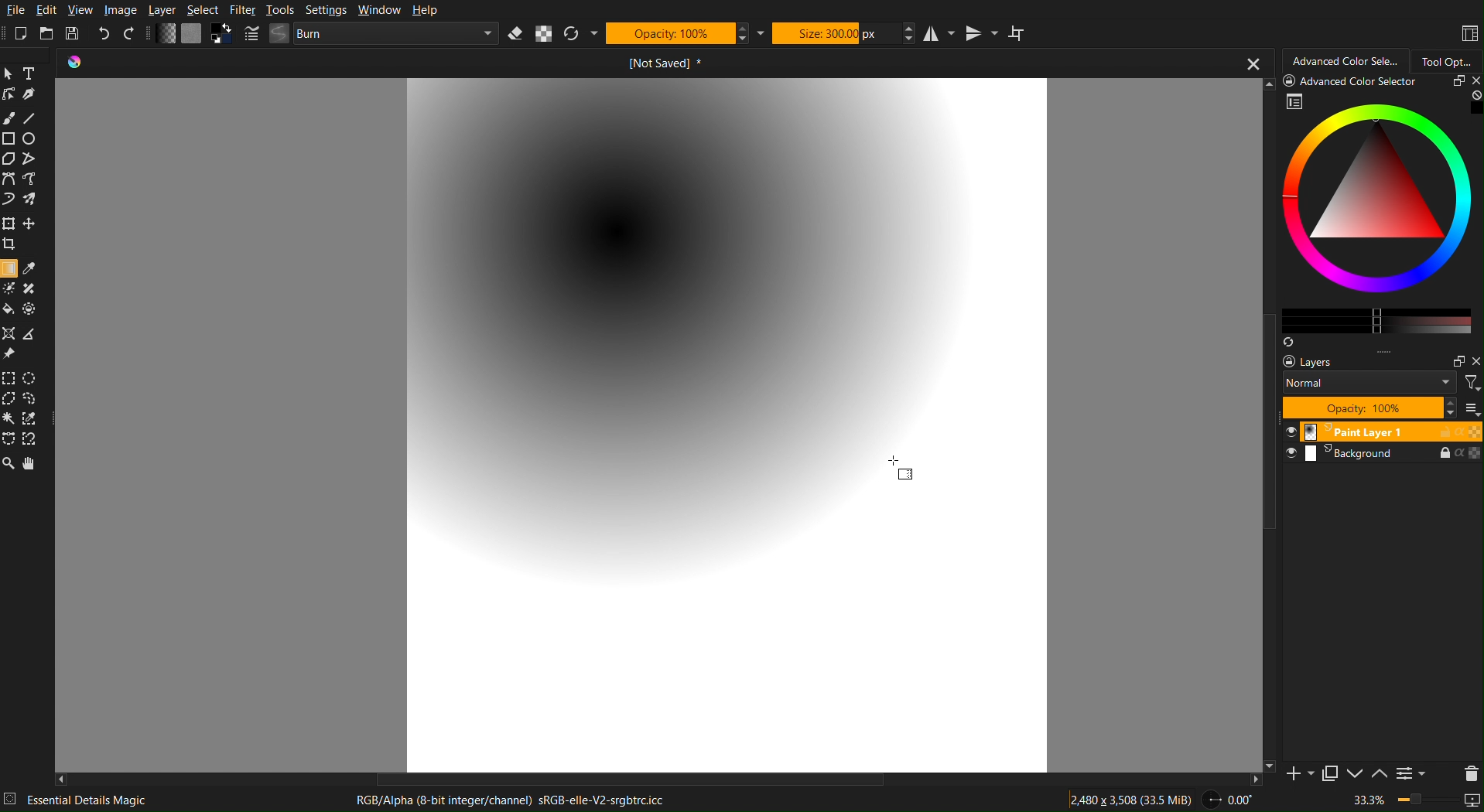 The image size is (1484, 812). Describe the element at coordinates (518, 33) in the screenshot. I see `Erase` at that location.